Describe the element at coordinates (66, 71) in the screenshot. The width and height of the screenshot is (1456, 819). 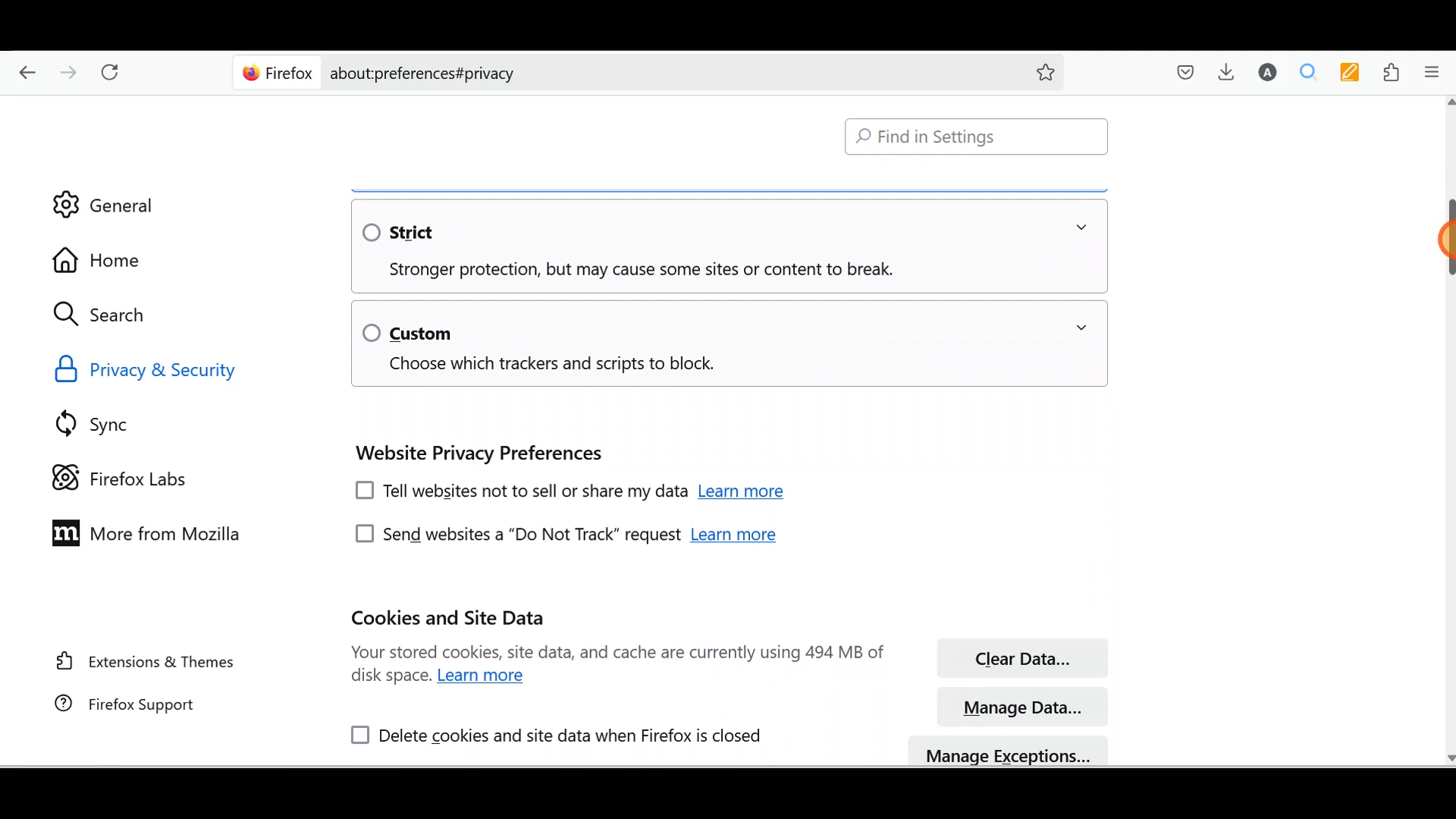
I see `Go forward one page` at that location.